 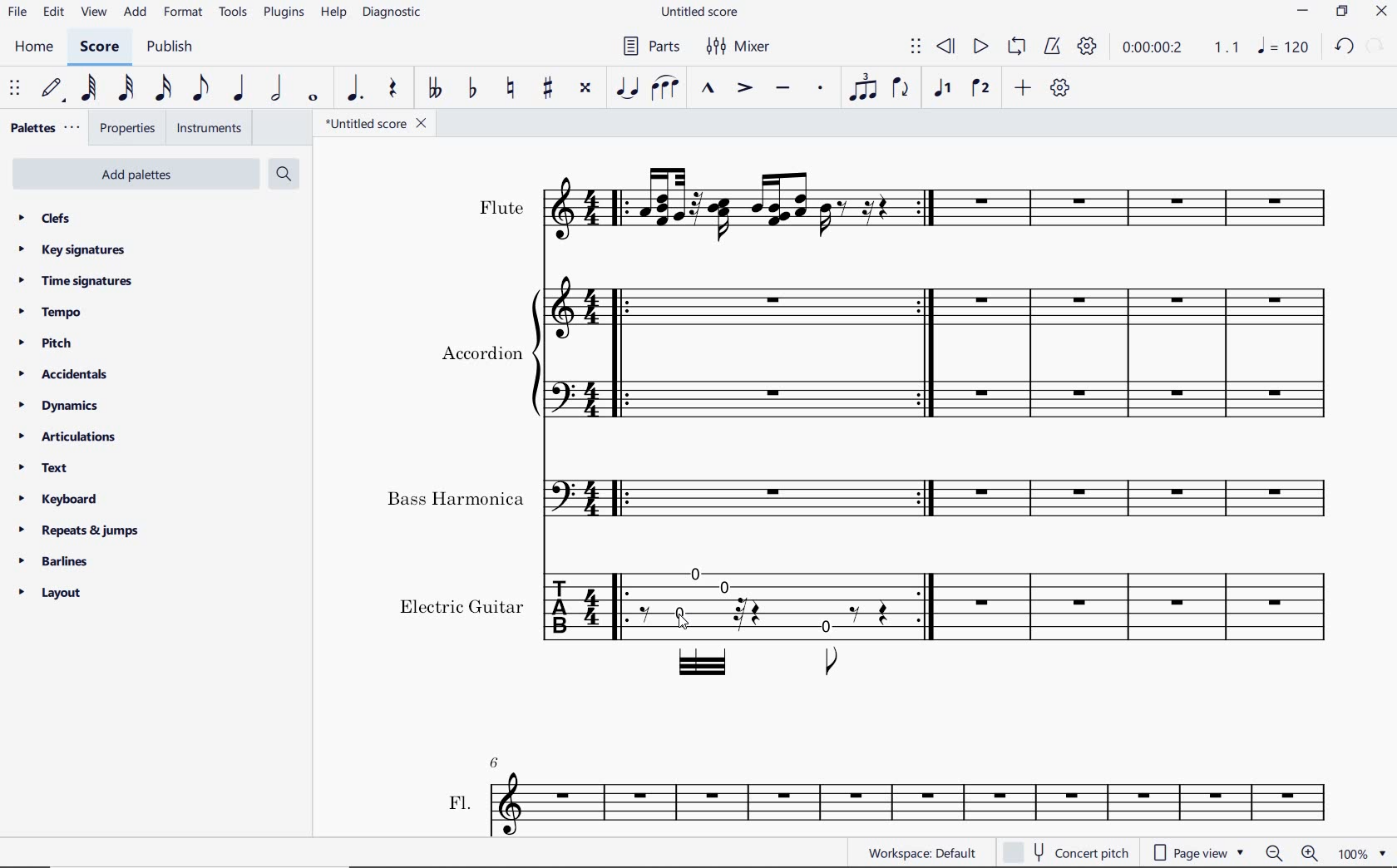 What do you see at coordinates (32, 47) in the screenshot?
I see `home` at bounding box center [32, 47].